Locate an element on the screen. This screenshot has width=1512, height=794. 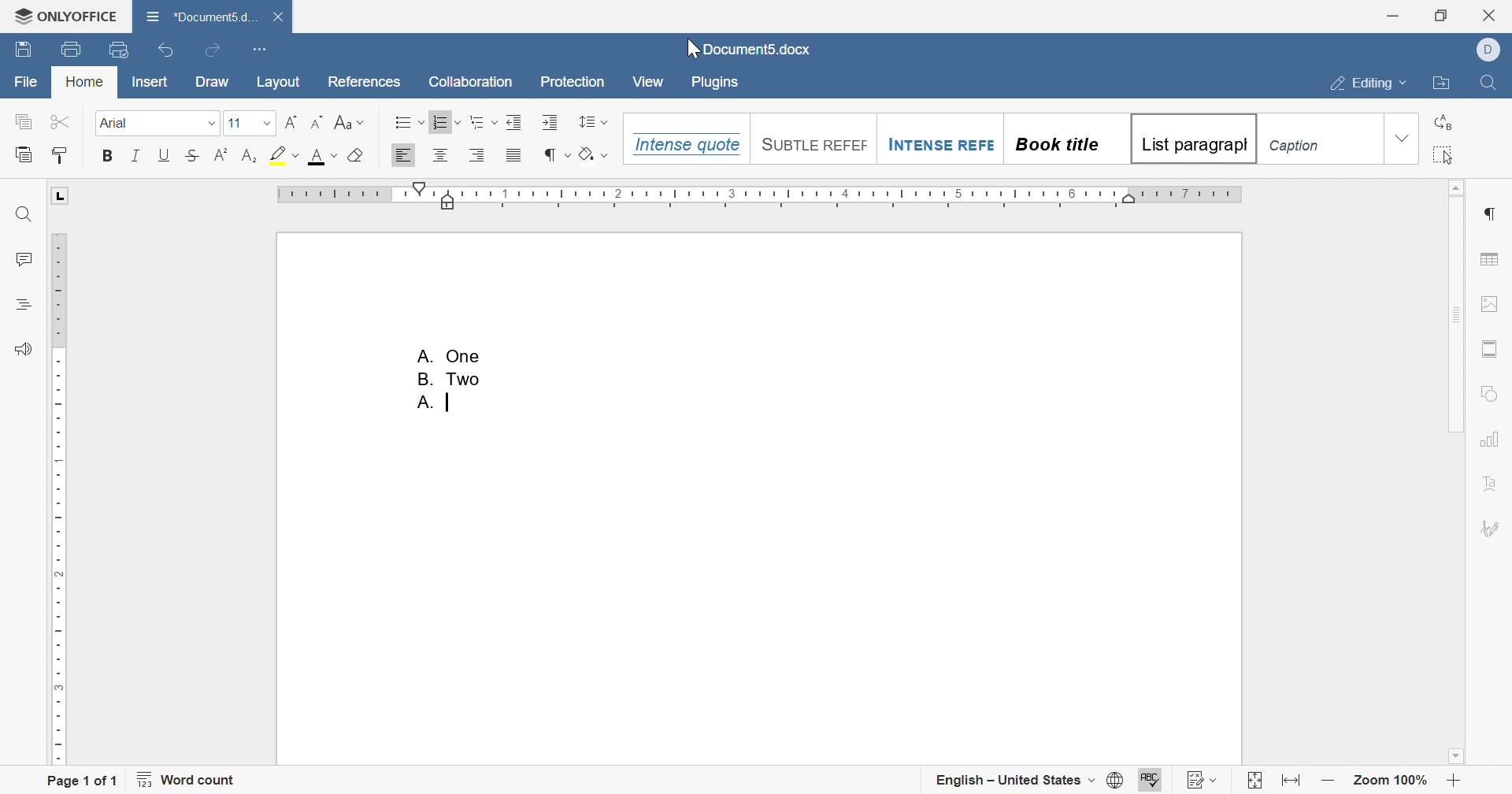
image settings is located at coordinates (1489, 305).